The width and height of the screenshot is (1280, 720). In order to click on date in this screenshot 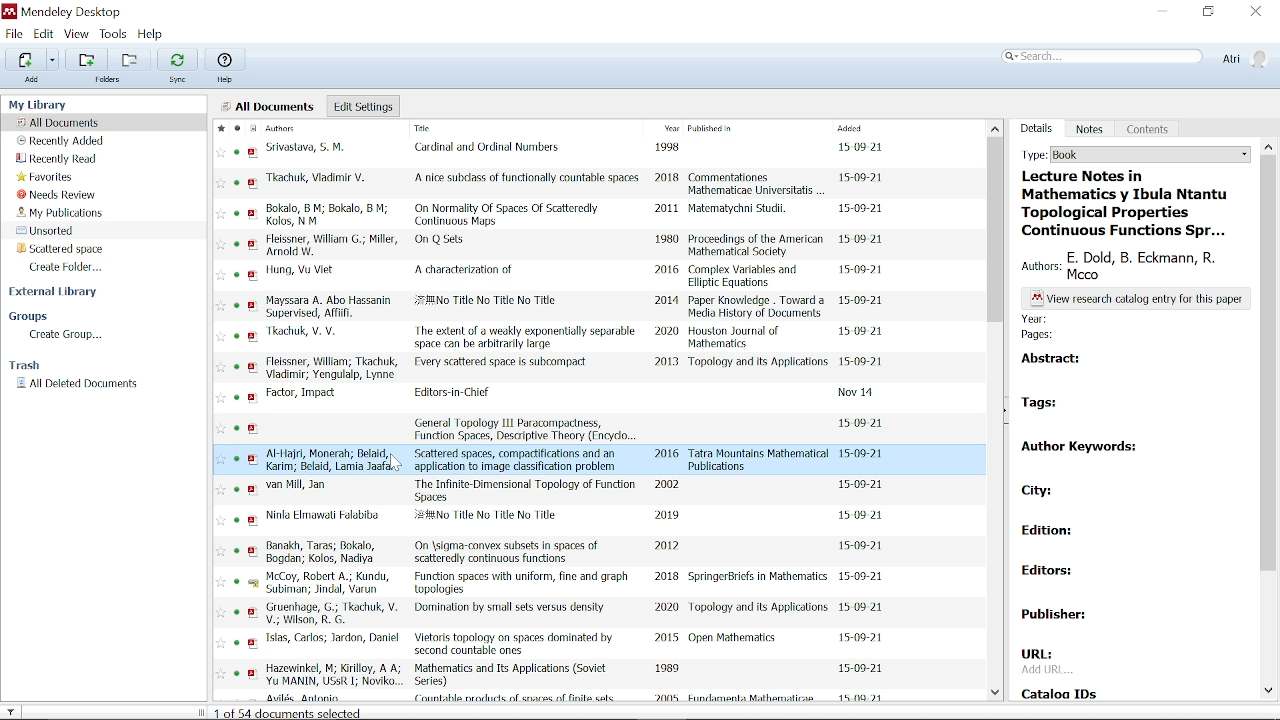, I will do `click(865, 273)`.